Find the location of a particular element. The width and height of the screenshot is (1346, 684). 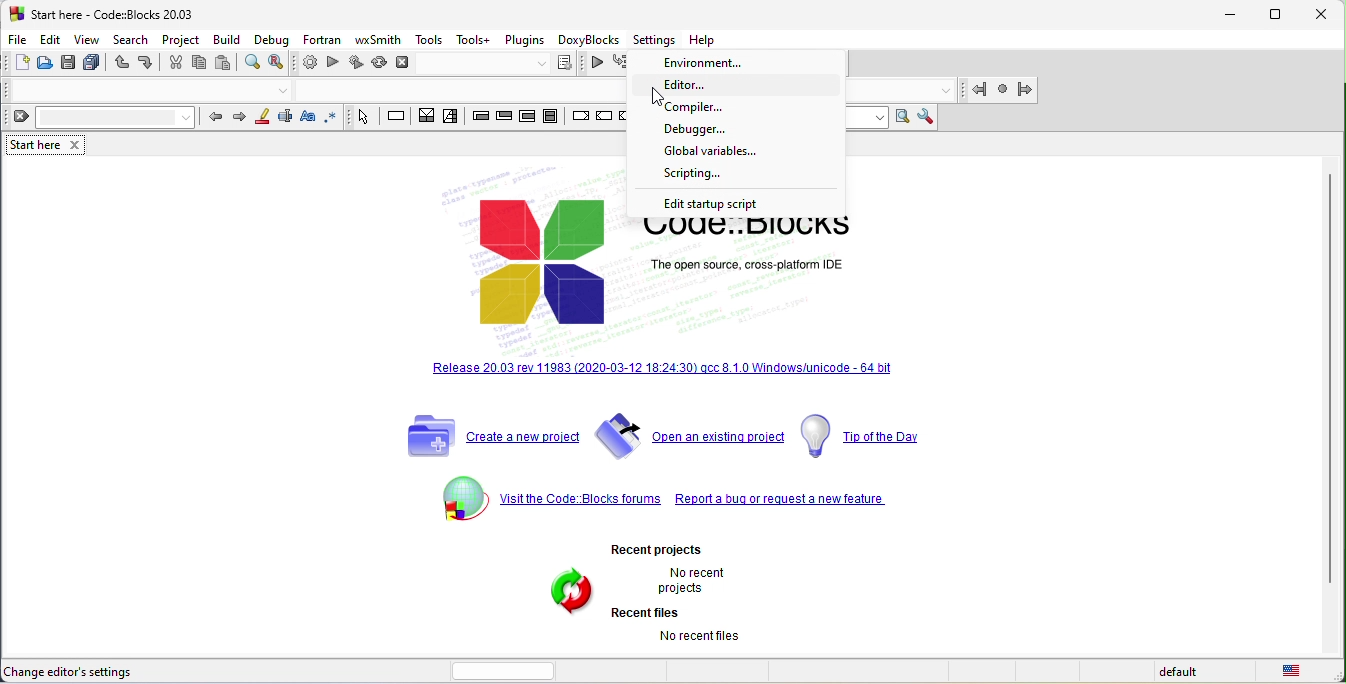

search is located at coordinates (133, 41).